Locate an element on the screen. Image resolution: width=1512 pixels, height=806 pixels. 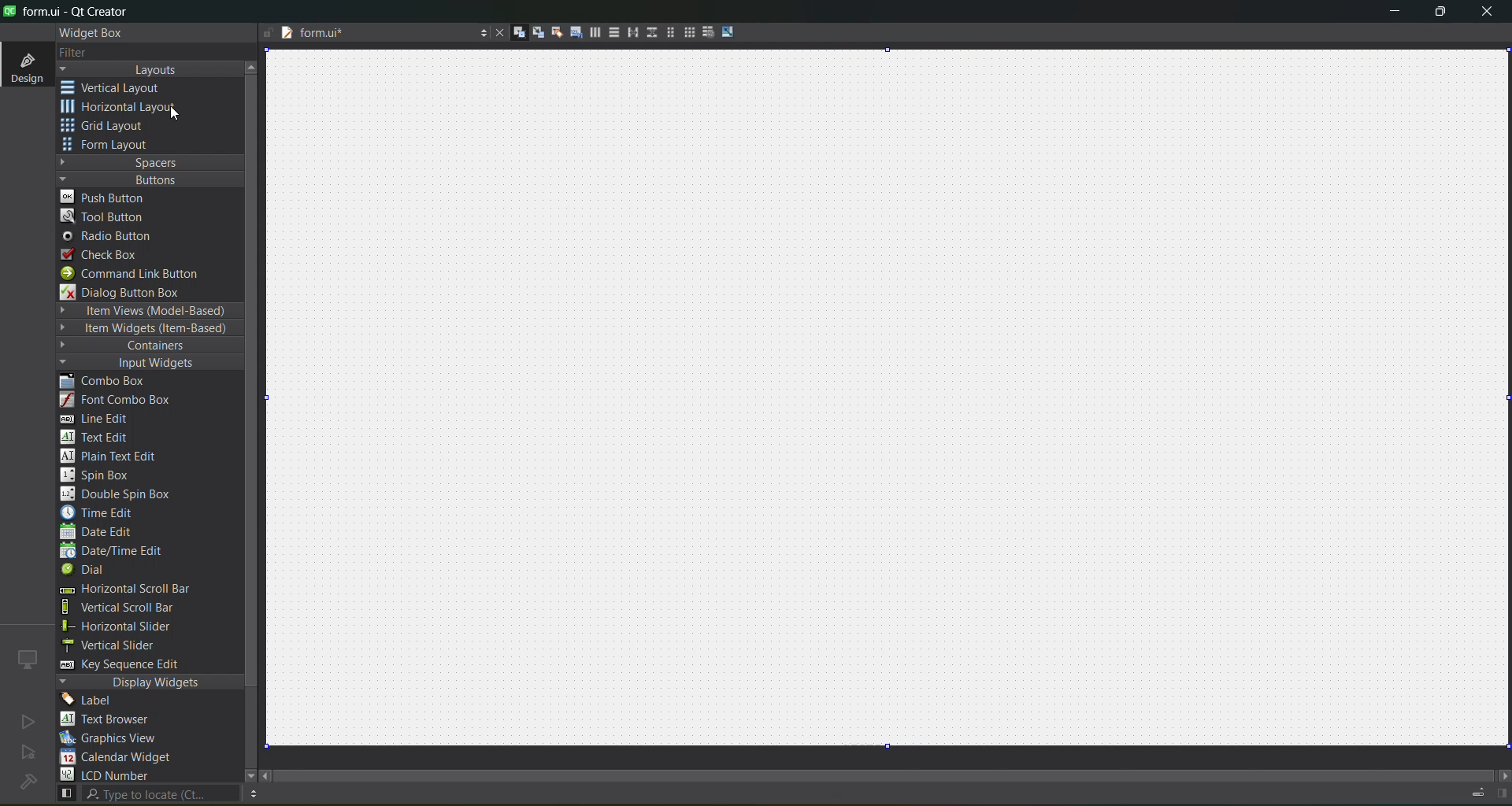
close is located at coordinates (1487, 13).